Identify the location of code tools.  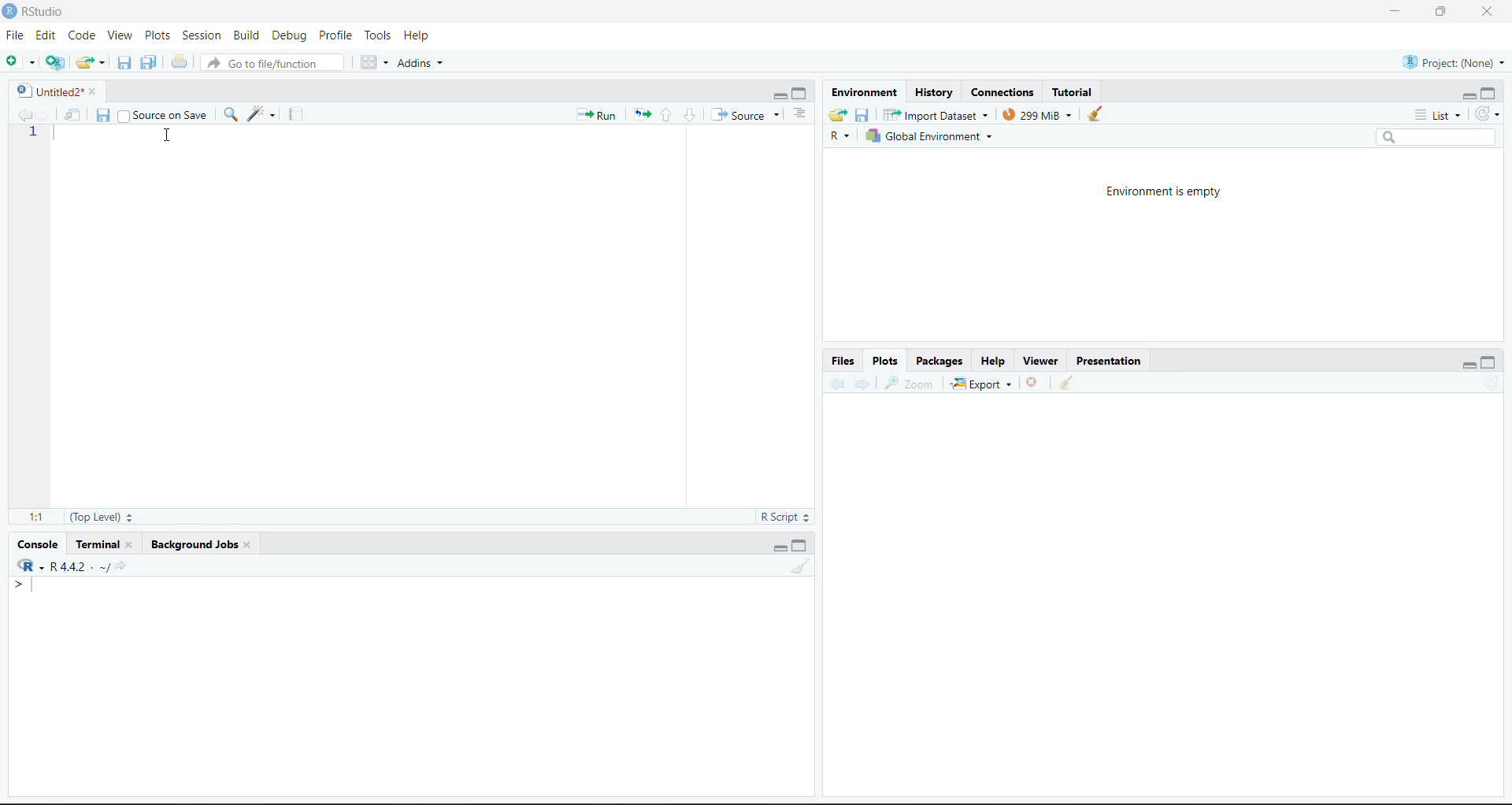
(261, 113).